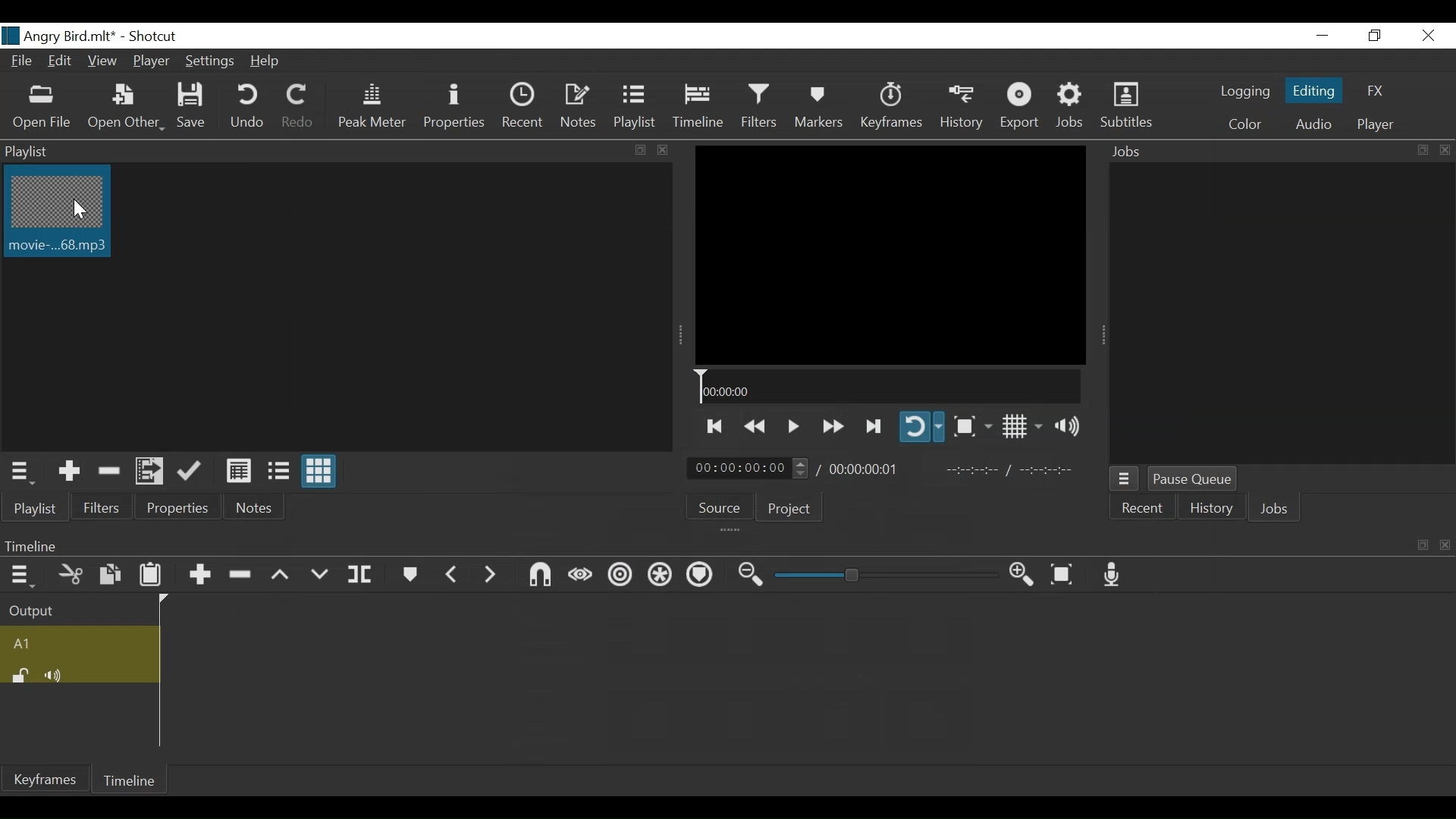  I want to click on Overwrite, so click(321, 573).